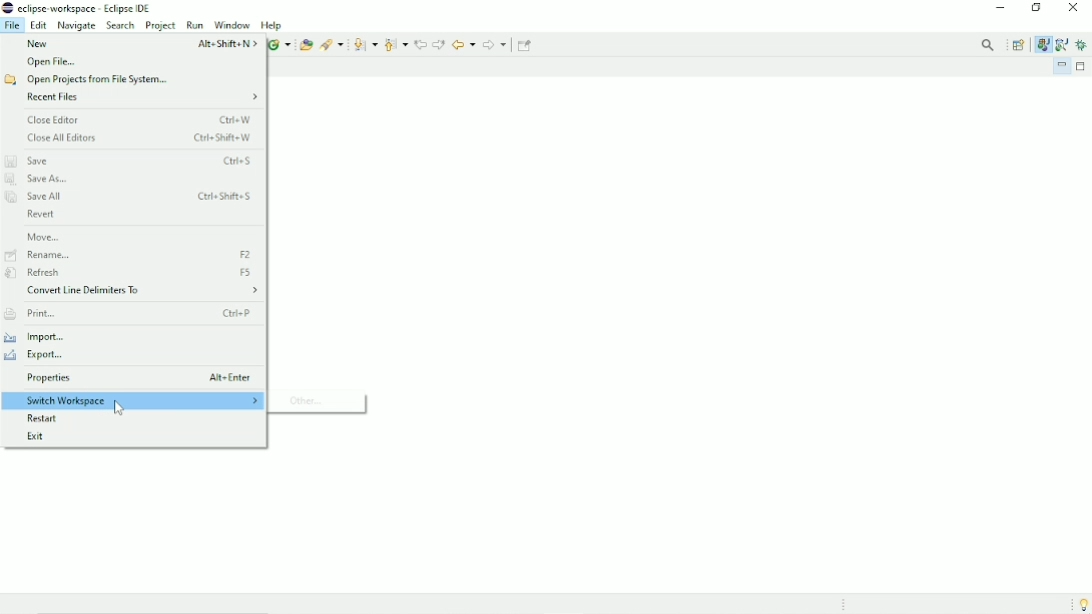  What do you see at coordinates (1080, 603) in the screenshot?
I see `Tip of the day` at bounding box center [1080, 603].